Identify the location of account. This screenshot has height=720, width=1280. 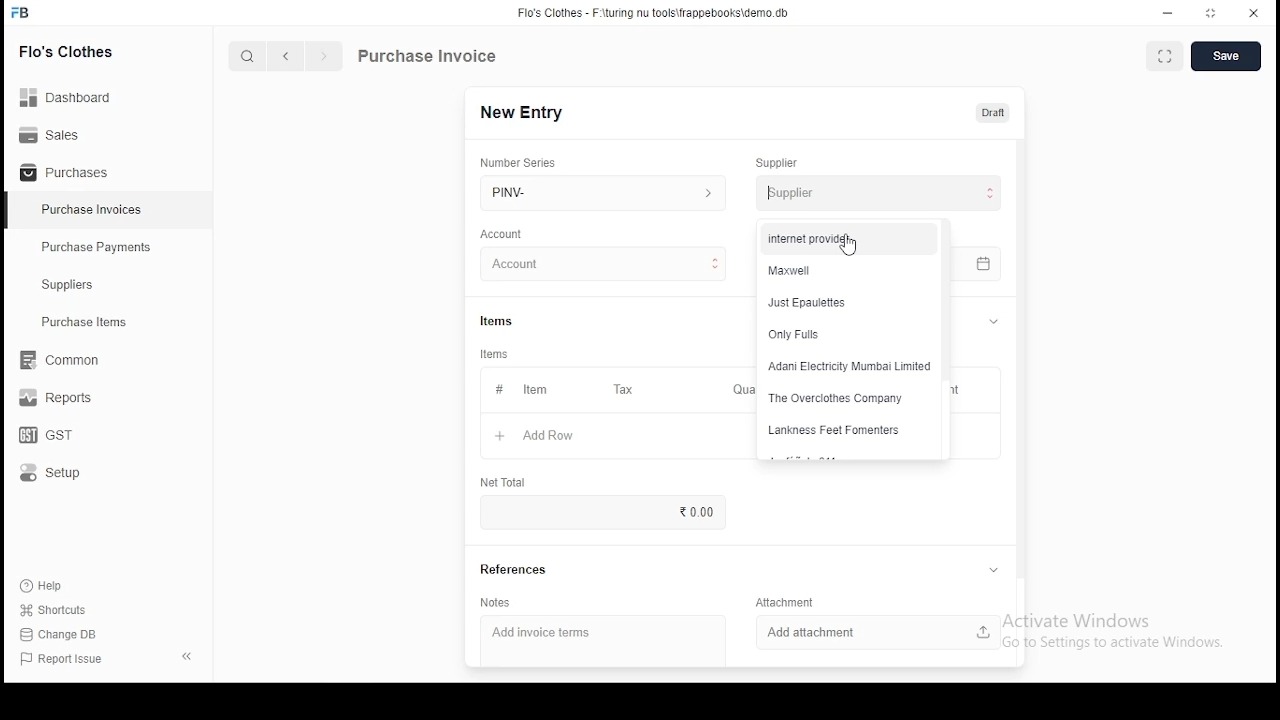
(502, 234).